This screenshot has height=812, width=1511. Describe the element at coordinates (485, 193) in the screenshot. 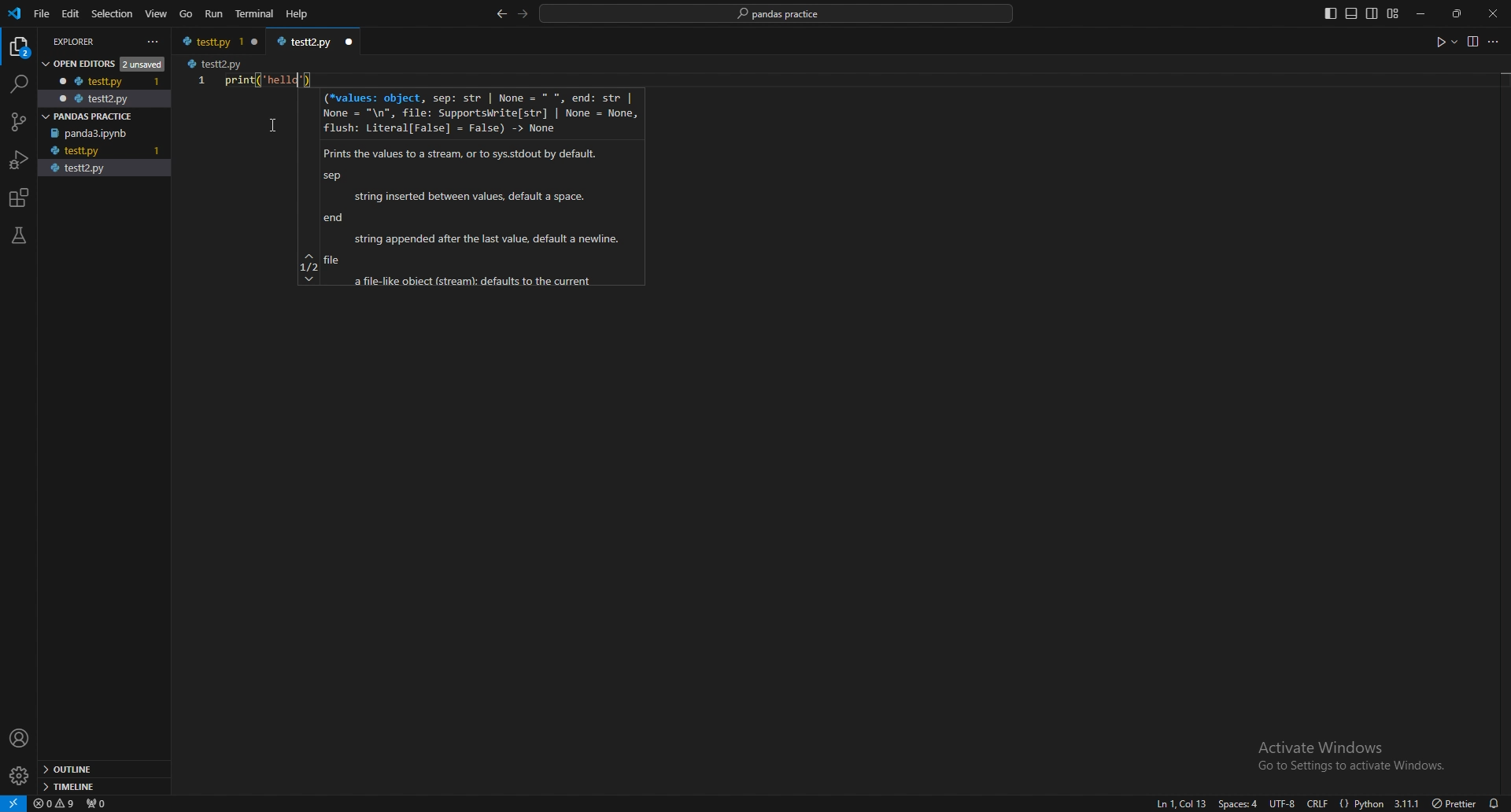

I see `(*values: object, sep: str | None = * *, end: str |
None = "\n", file: Supportskrite[str] | None = None,
flush: Literal[False] = False) -> None
Prints the values to a stream, or to syssstdout by default.
sep
string inserted between values, default a space.
end
string appended after the last value, default a newine.
file
a file-fike obiect (stream: defaults to the current` at that location.